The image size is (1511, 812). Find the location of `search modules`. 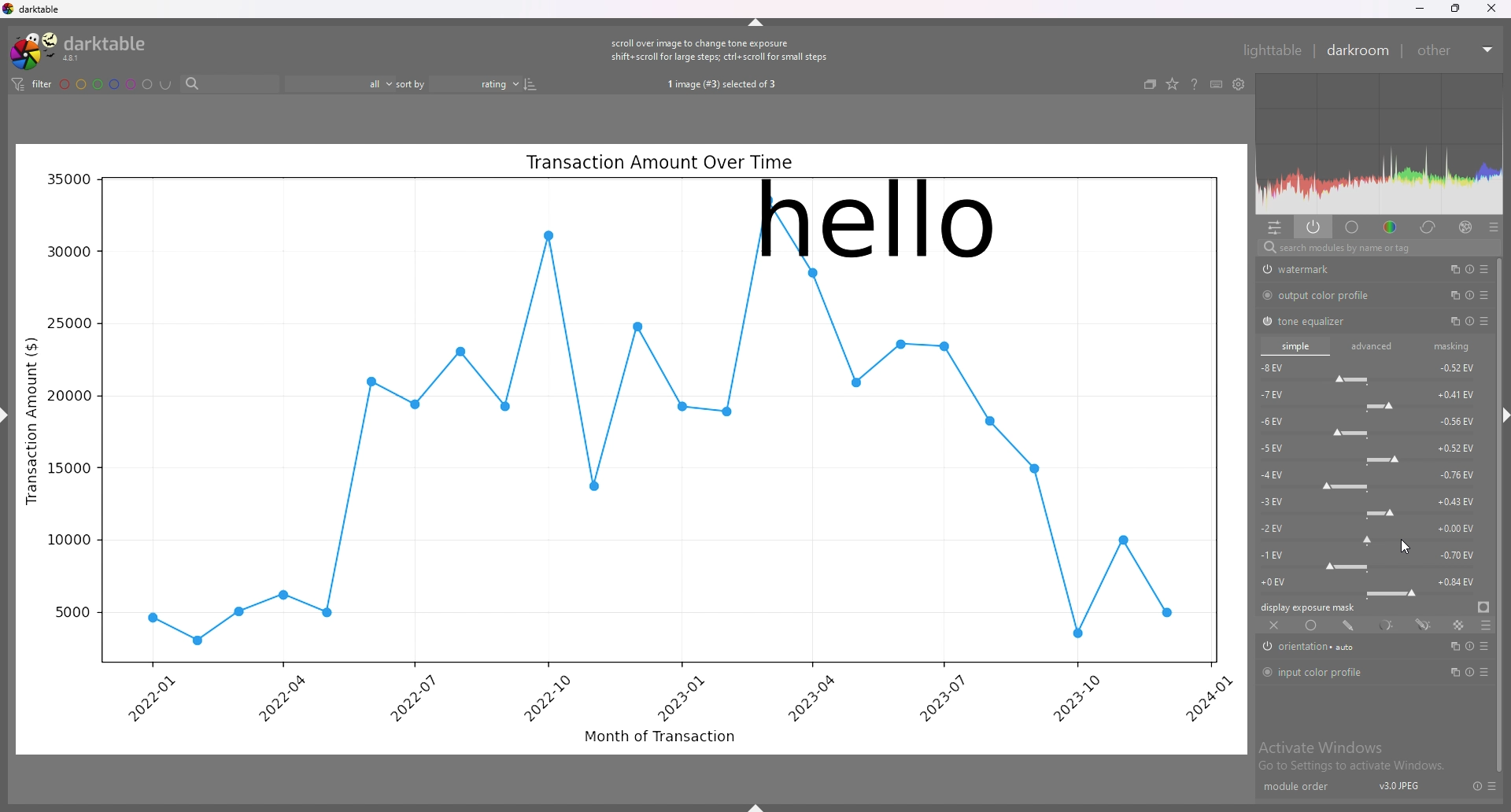

search modules is located at coordinates (1377, 248).